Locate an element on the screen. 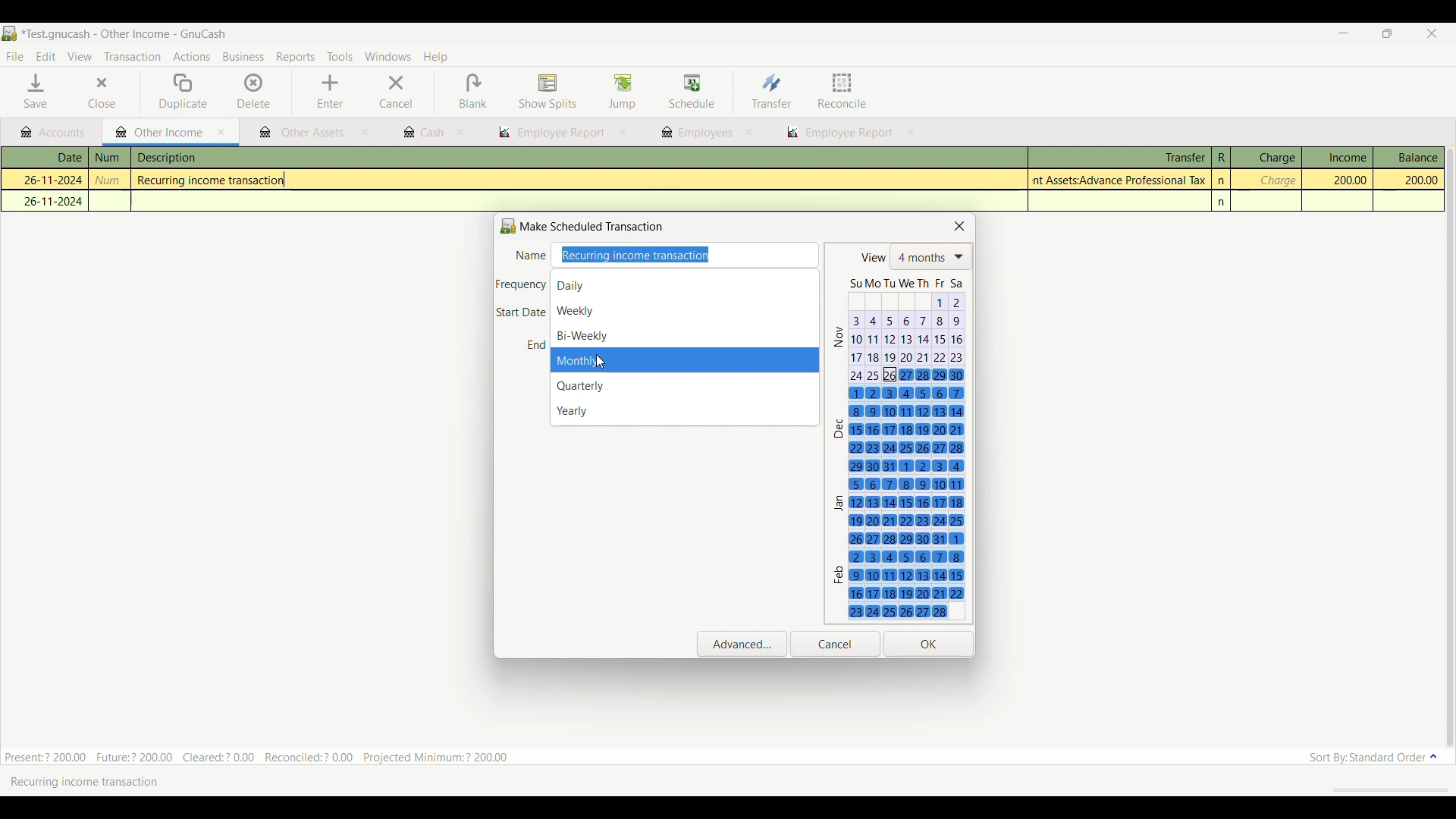 The height and width of the screenshot is (819, 1456). Transfer column is located at coordinates (1119, 155).